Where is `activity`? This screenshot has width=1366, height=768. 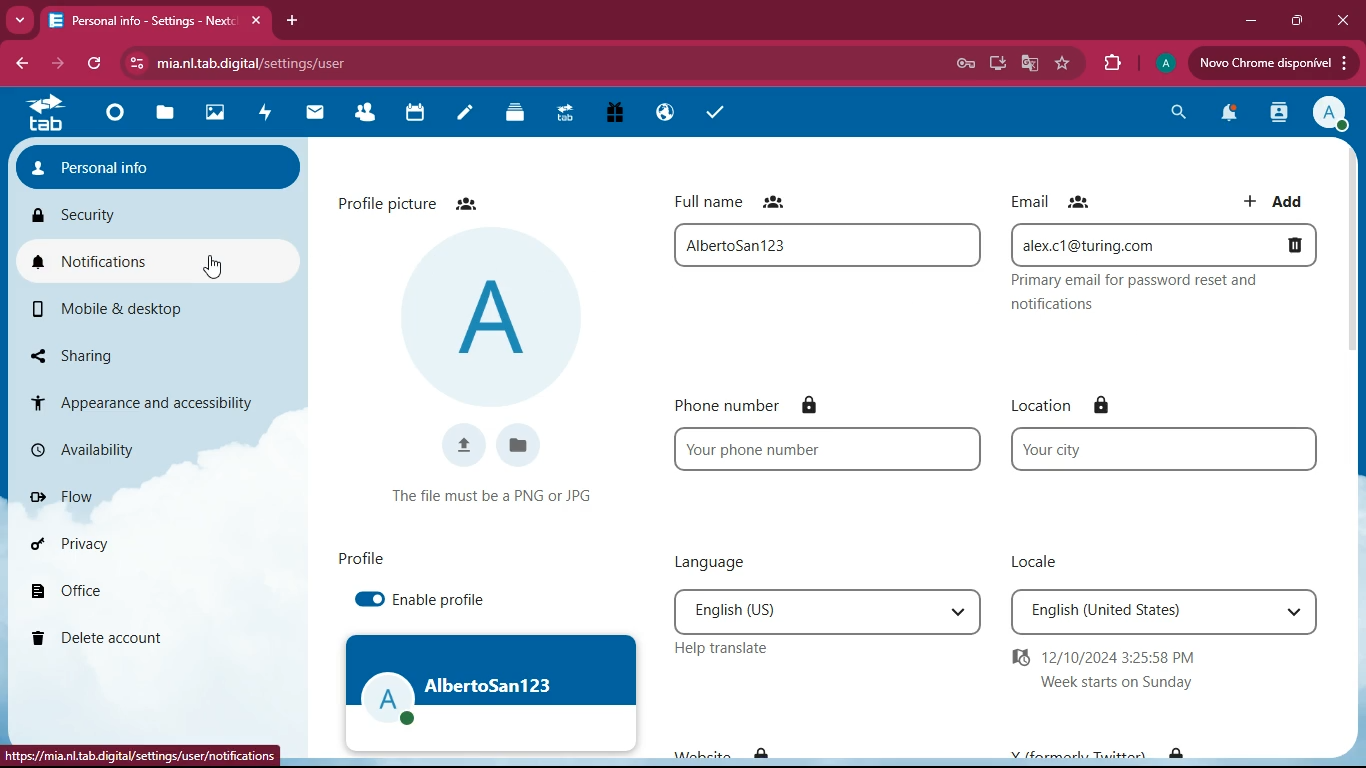
activity is located at coordinates (1276, 114).